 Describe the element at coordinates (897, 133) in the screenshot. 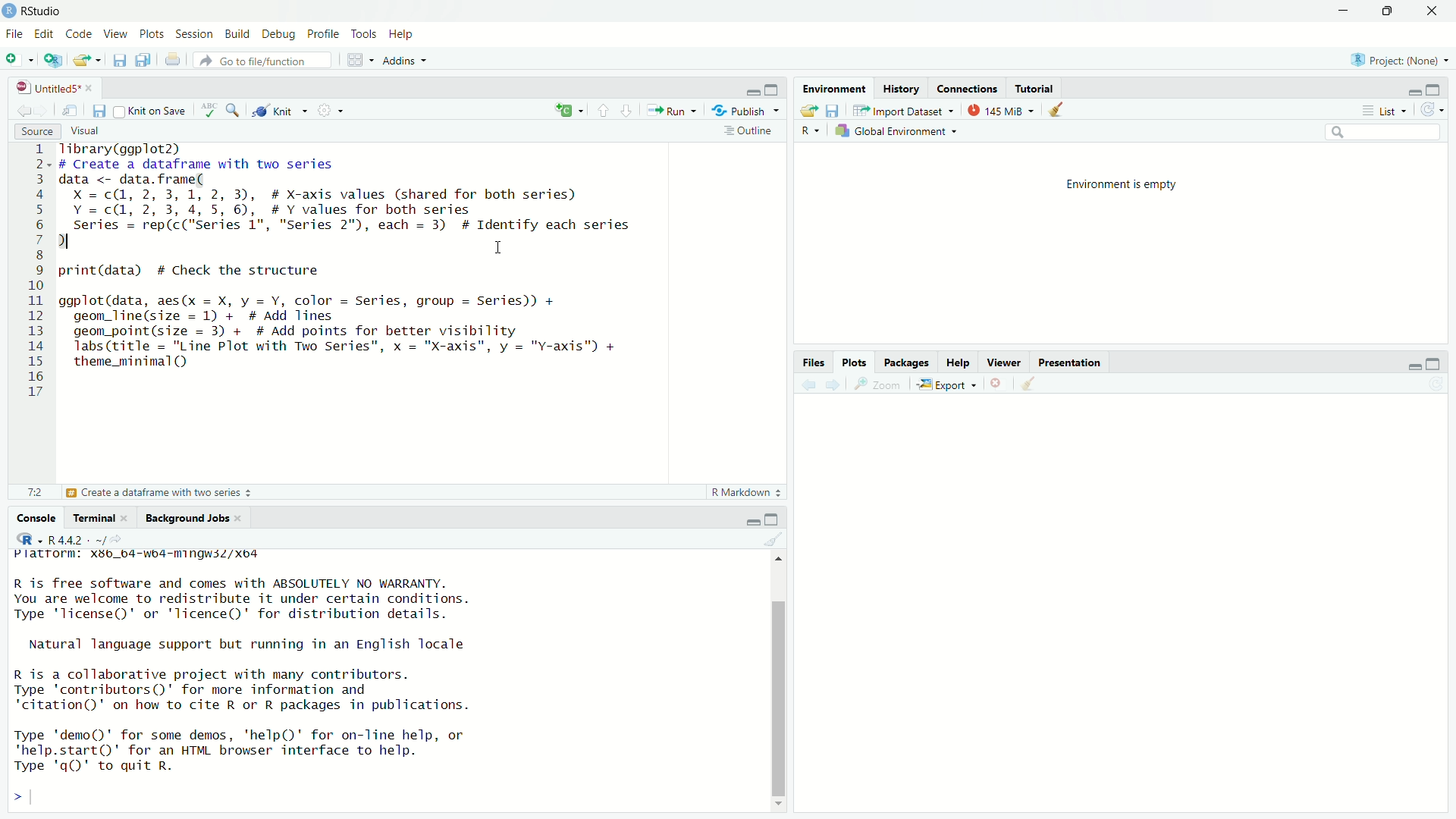

I see `Global Enviornment` at that location.